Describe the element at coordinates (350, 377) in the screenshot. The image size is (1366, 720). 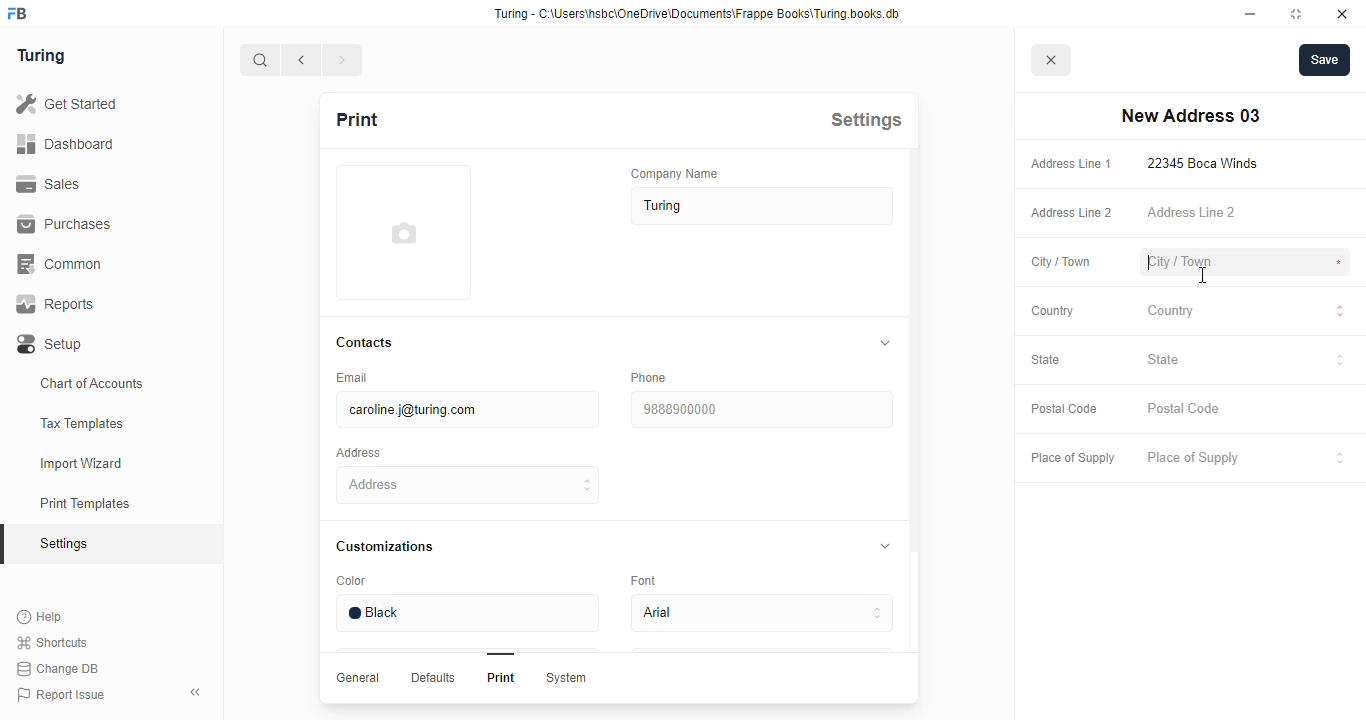
I see `email` at that location.